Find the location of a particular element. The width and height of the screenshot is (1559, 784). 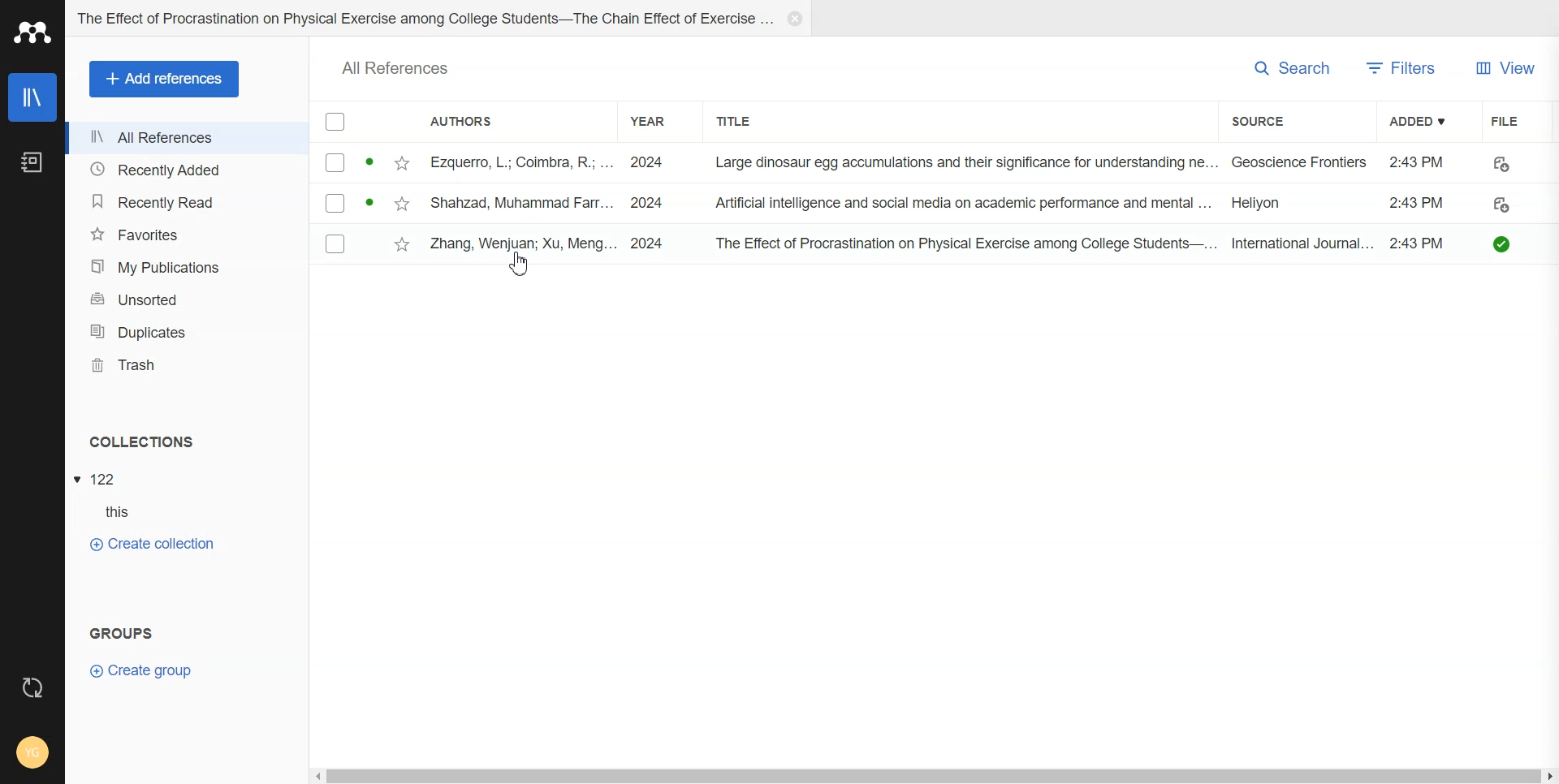

Favorites is located at coordinates (190, 234).